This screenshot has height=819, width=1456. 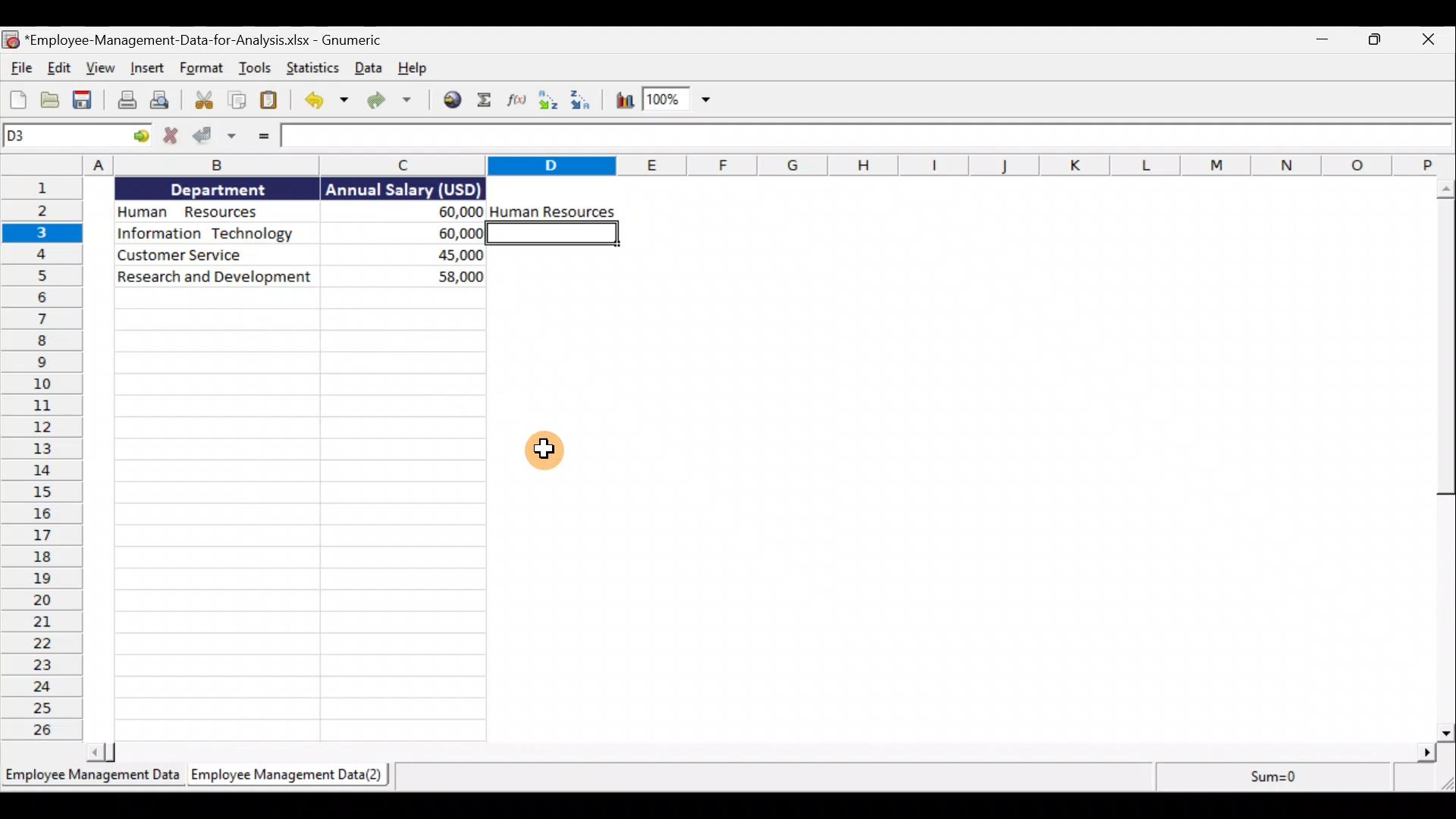 What do you see at coordinates (687, 101) in the screenshot?
I see `zoom` at bounding box center [687, 101].